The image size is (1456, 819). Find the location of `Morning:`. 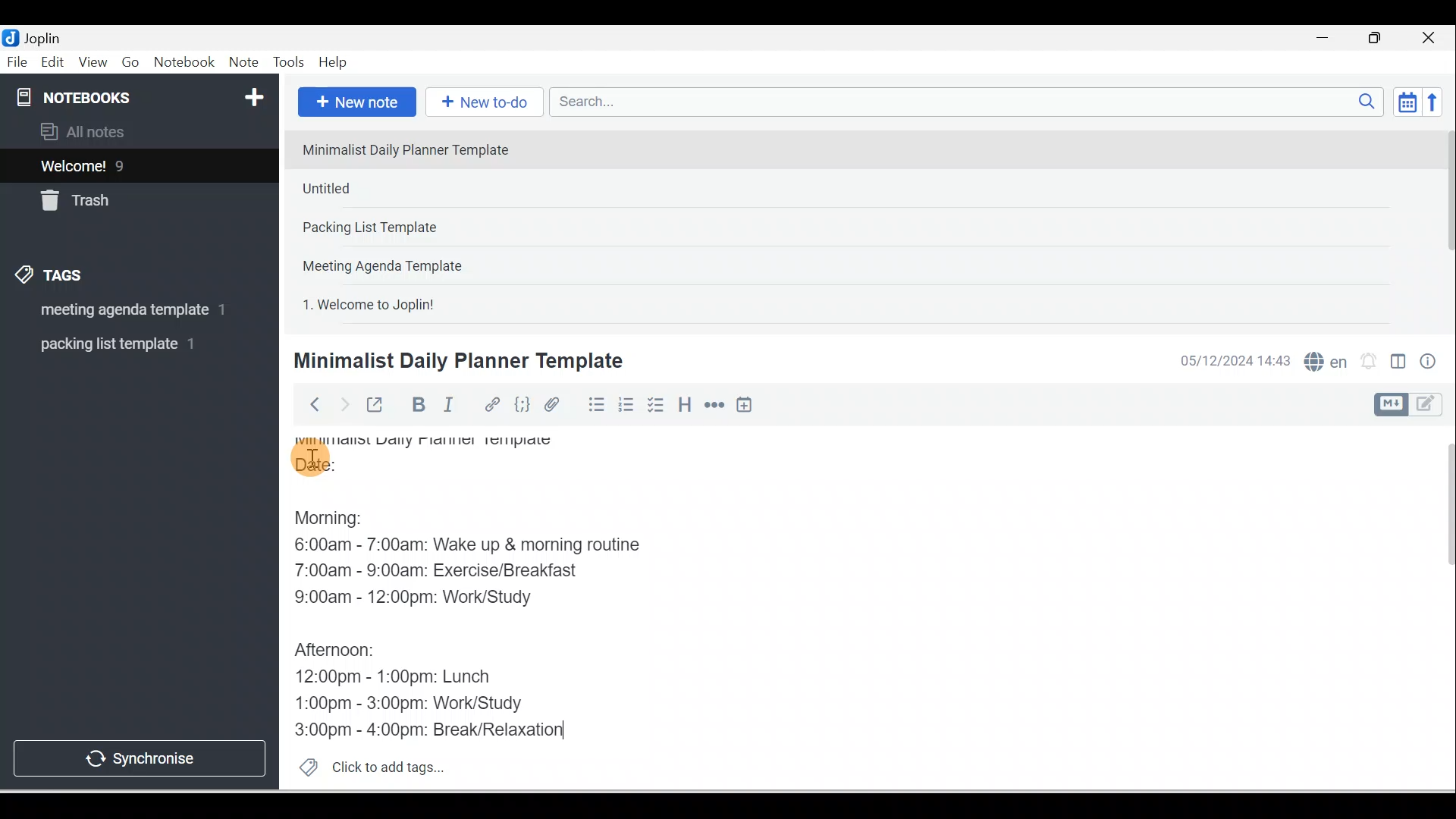

Morning: is located at coordinates (345, 522).